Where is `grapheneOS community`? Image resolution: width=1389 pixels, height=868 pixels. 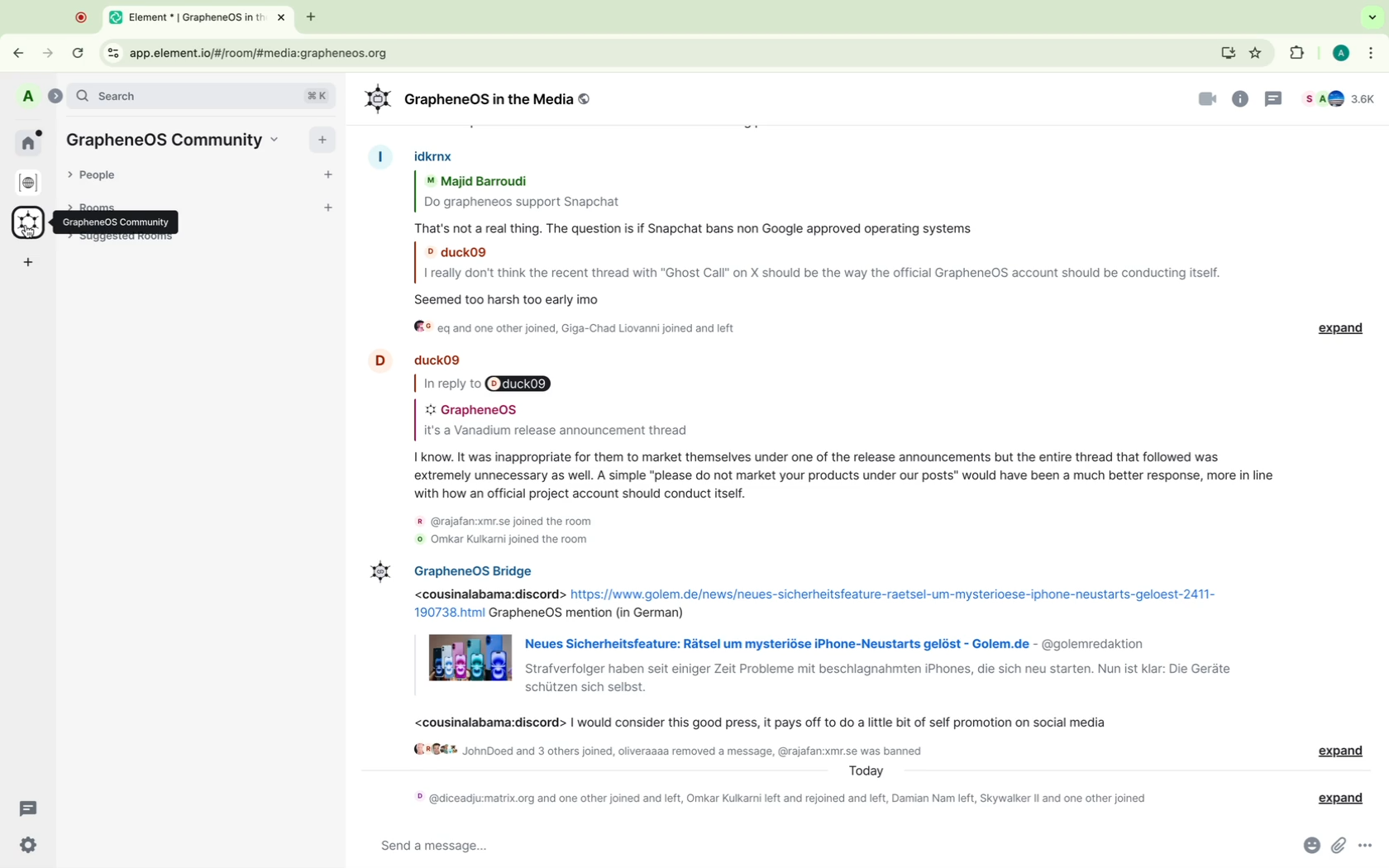
grapheneOS community is located at coordinates (115, 222).